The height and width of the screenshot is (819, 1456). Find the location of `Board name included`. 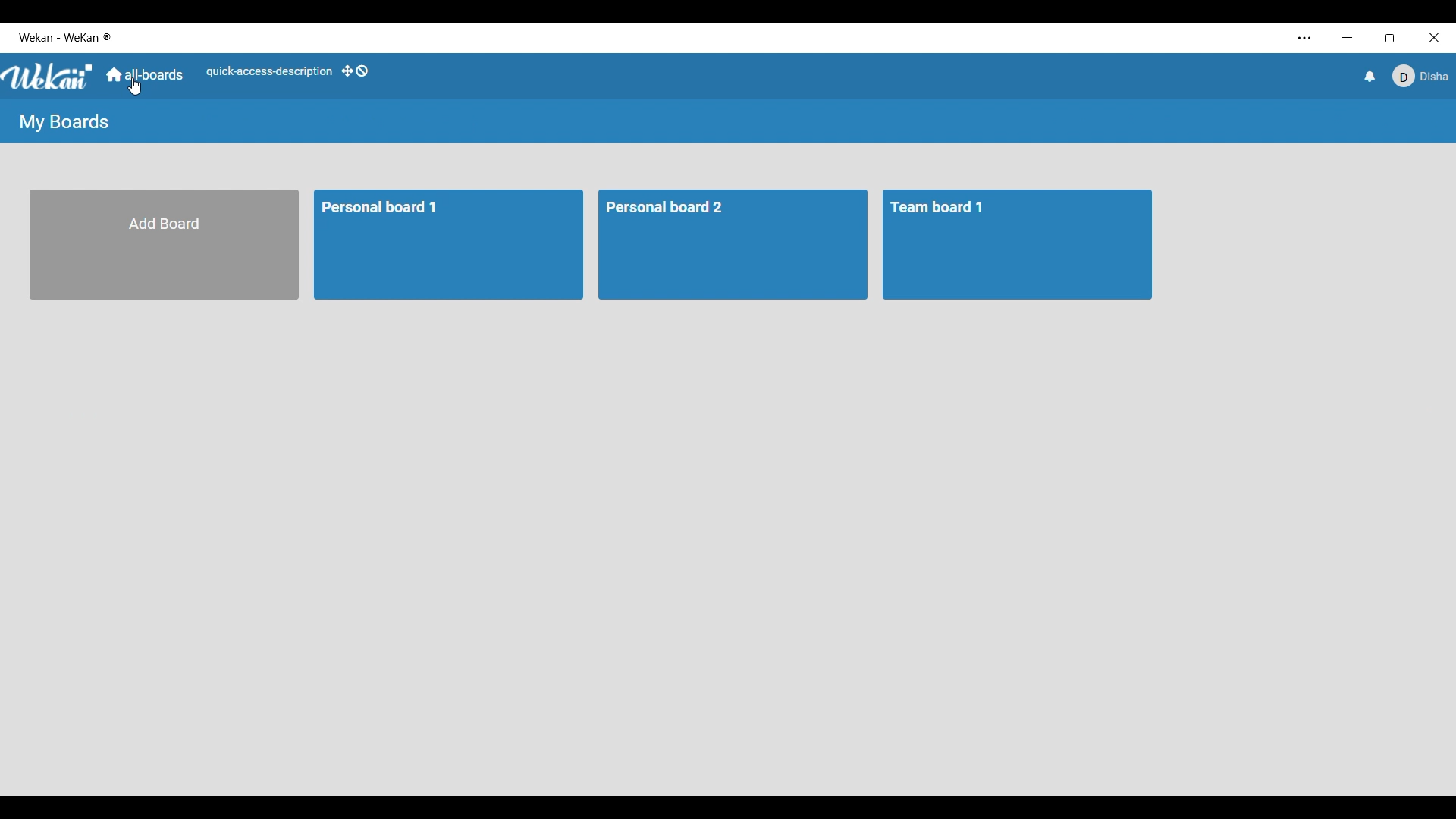

Board name included is located at coordinates (70, 38).